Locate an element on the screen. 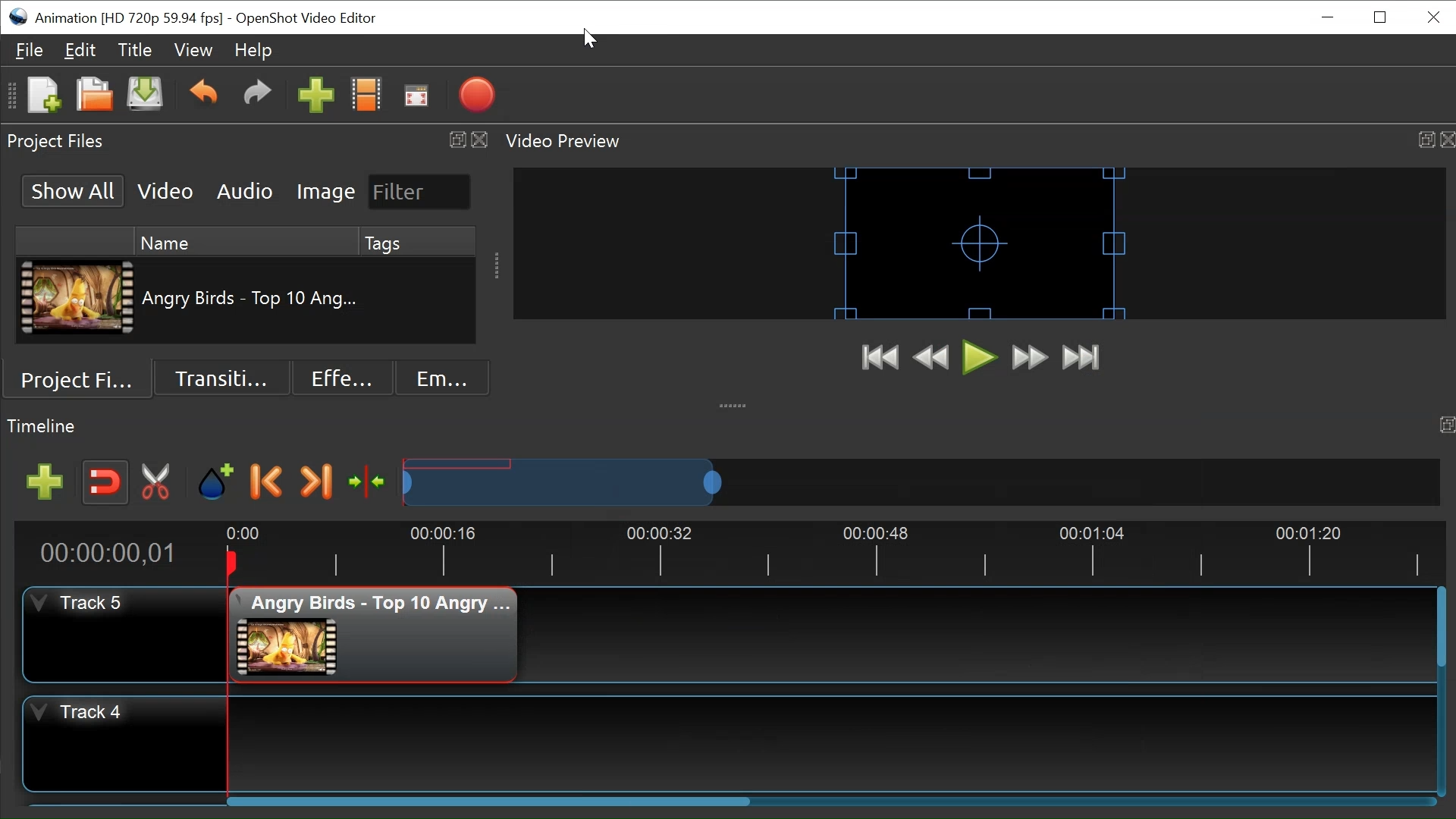 The image size is (1456, 819). Add track is located at coordinates (44, 483).